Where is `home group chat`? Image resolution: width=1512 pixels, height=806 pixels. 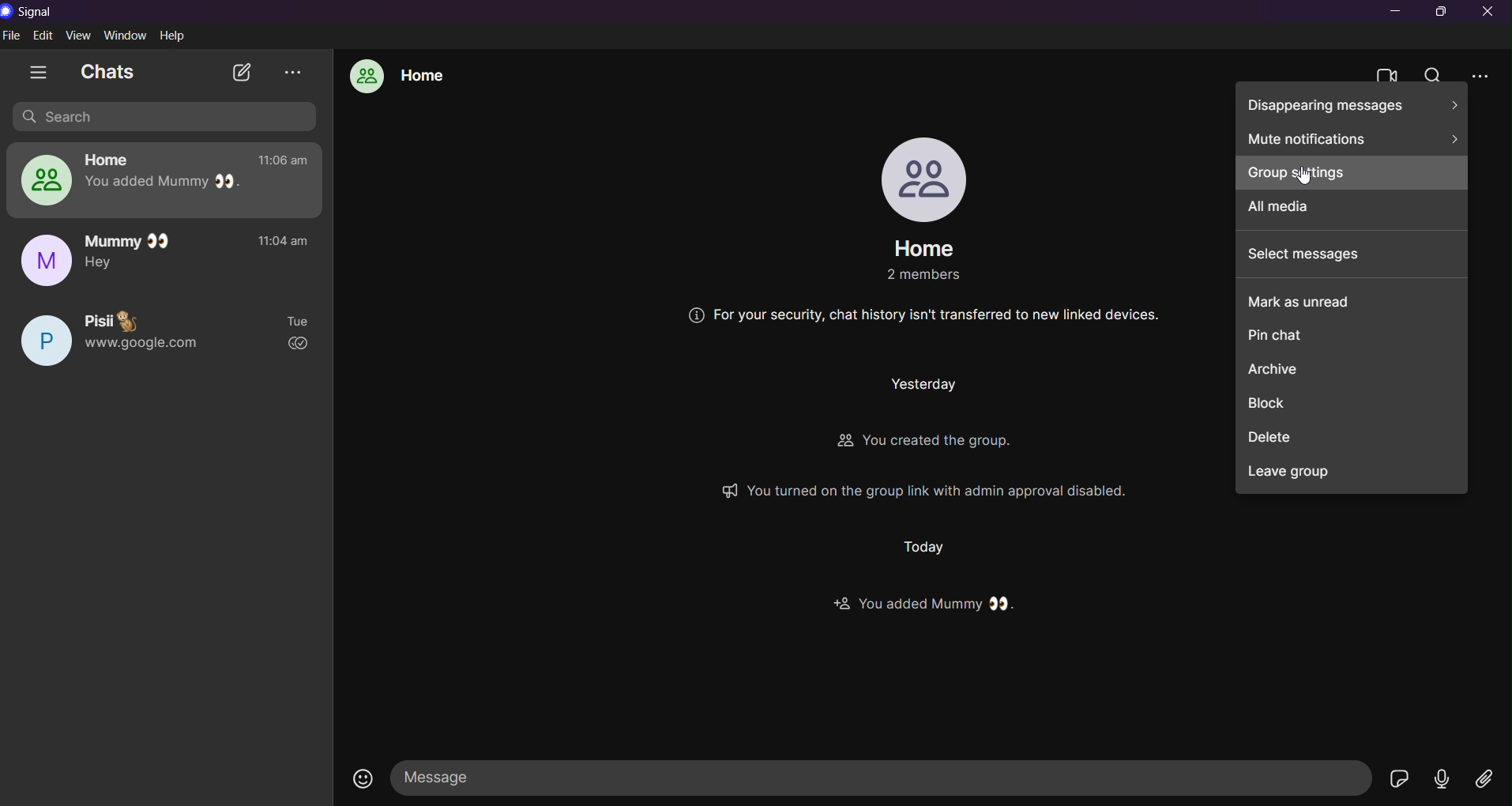
home group chat is located at coordinates (397, 77).